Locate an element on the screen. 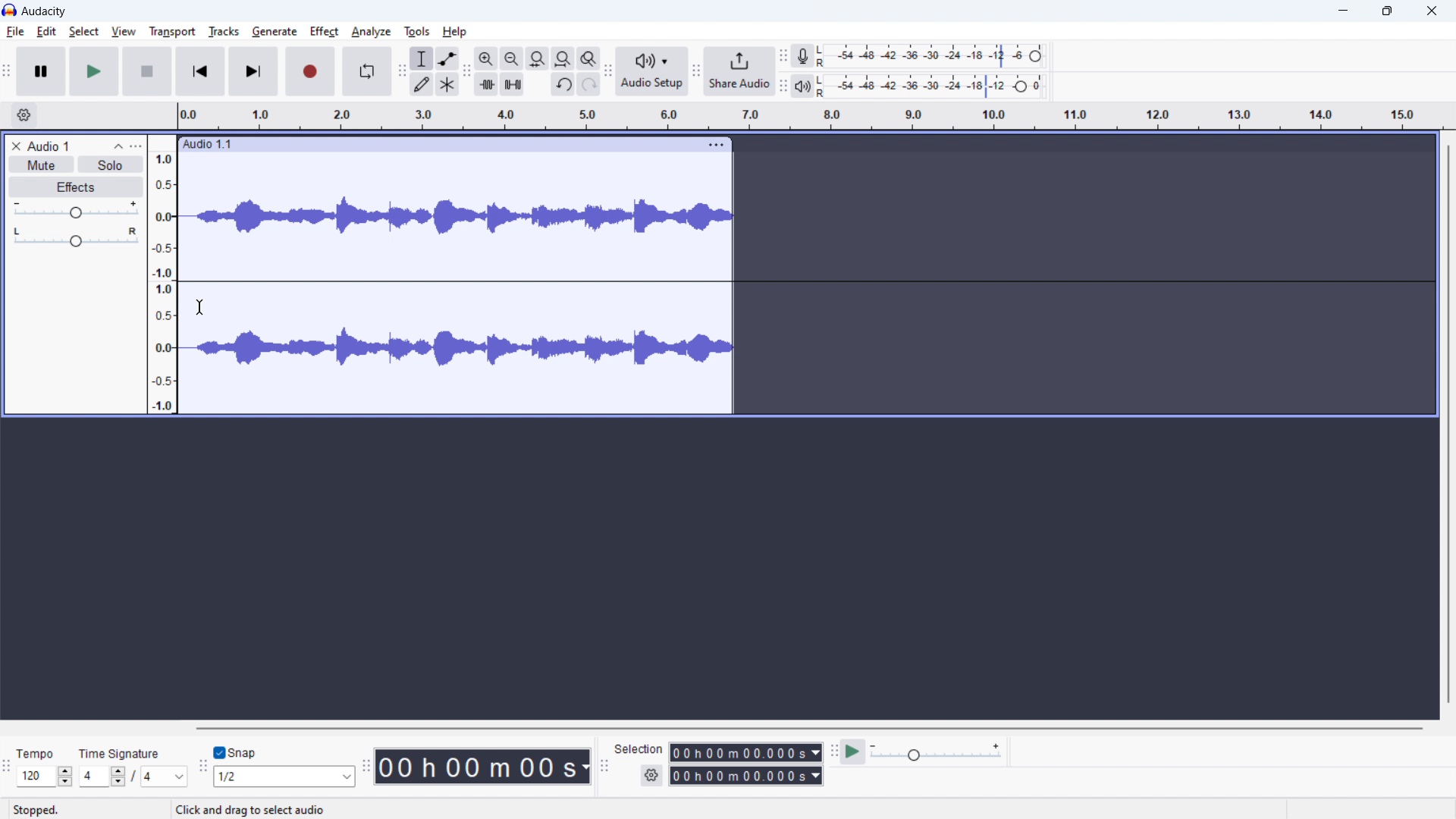 The image size is (1456, 819). timeline settings is located at coordinates (23, 115).